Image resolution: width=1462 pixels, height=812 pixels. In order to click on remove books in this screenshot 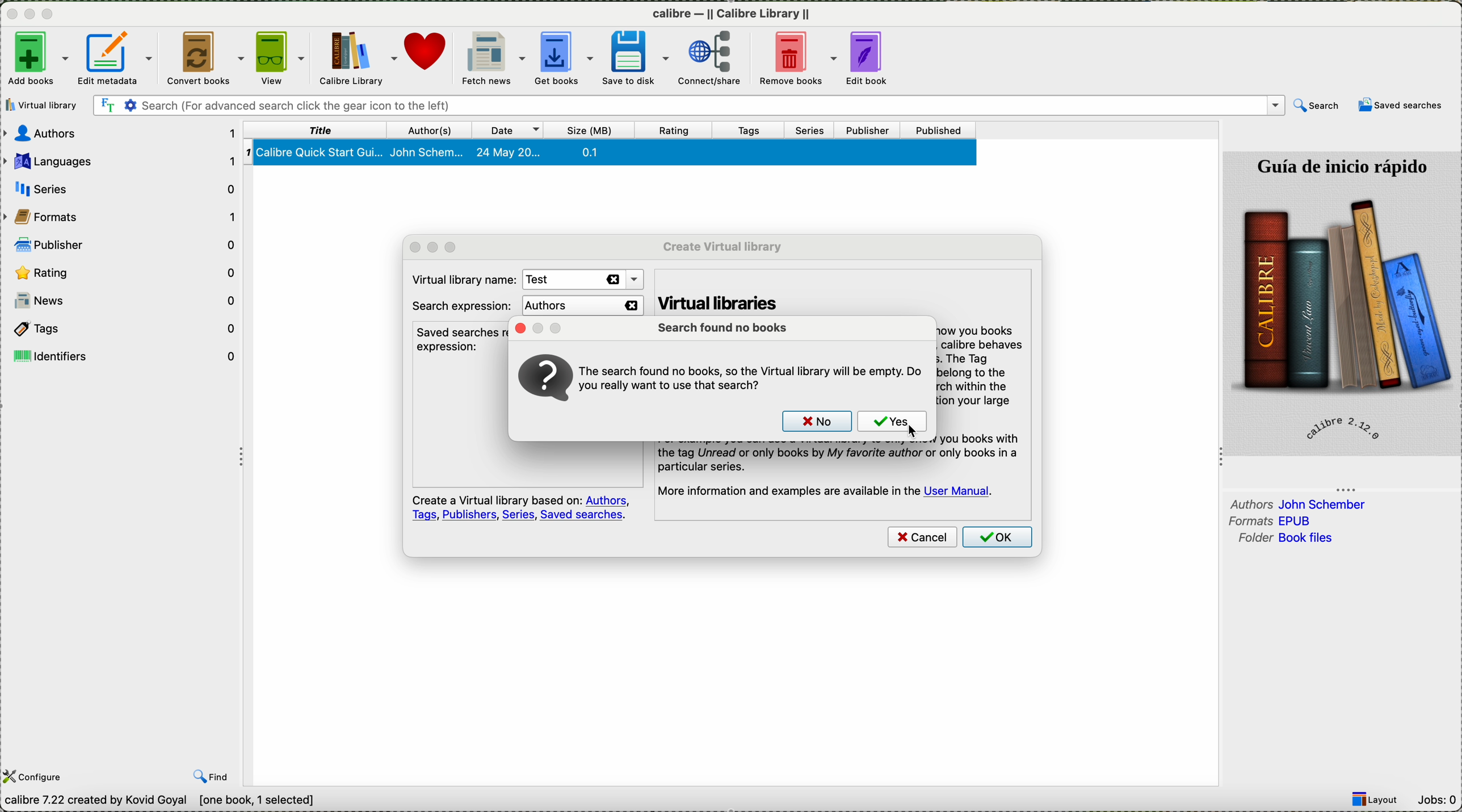, I will do `click(799, 59)`.